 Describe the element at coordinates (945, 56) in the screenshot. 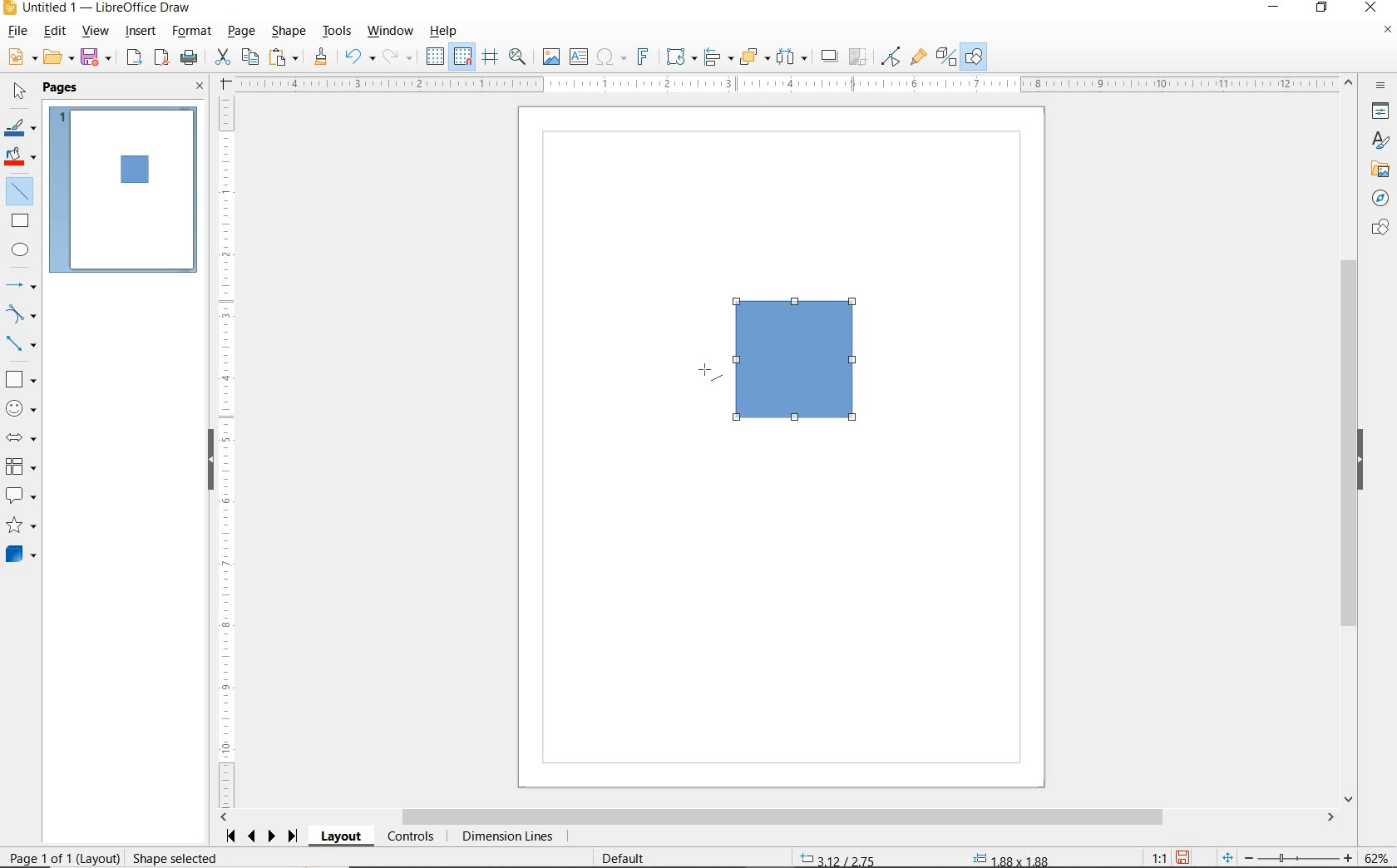

I see `TOGGLE EXTRUSION` at that location.